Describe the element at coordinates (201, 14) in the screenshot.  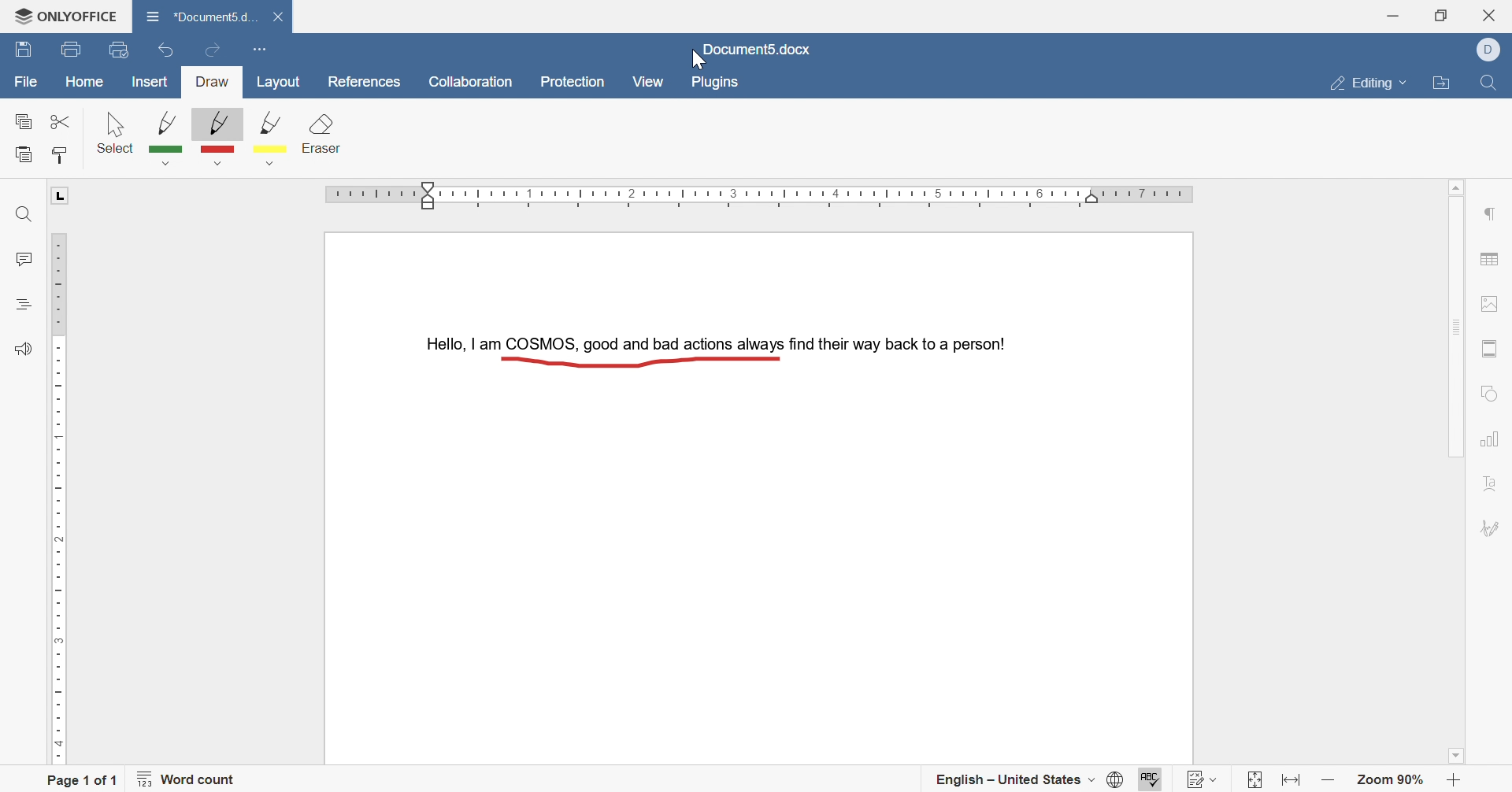
I see `*document5.docx` at that location.